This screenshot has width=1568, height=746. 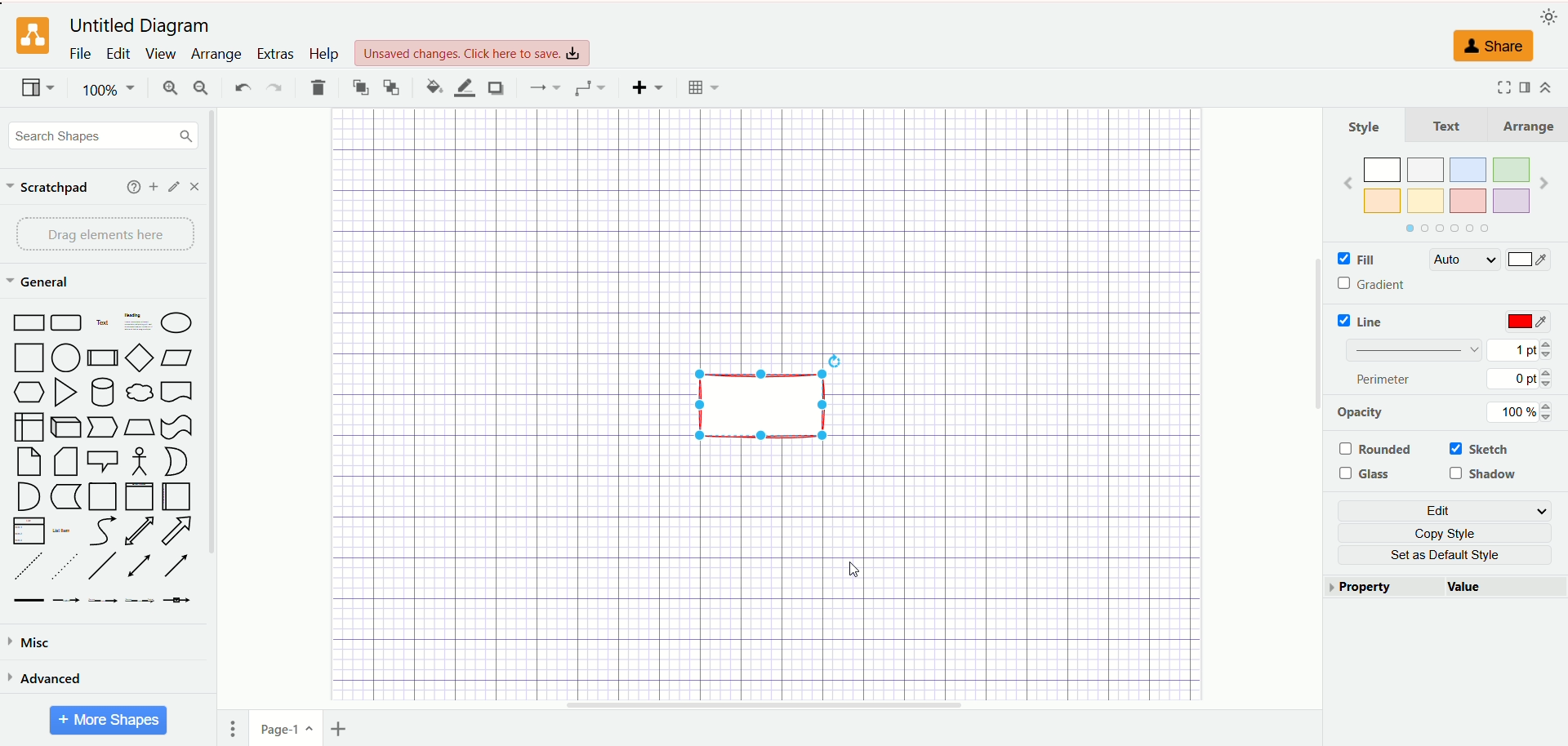 What do you see at coordinates (644, 87) in the screenshot?
I see `insert` at bounding box center [644, 87].